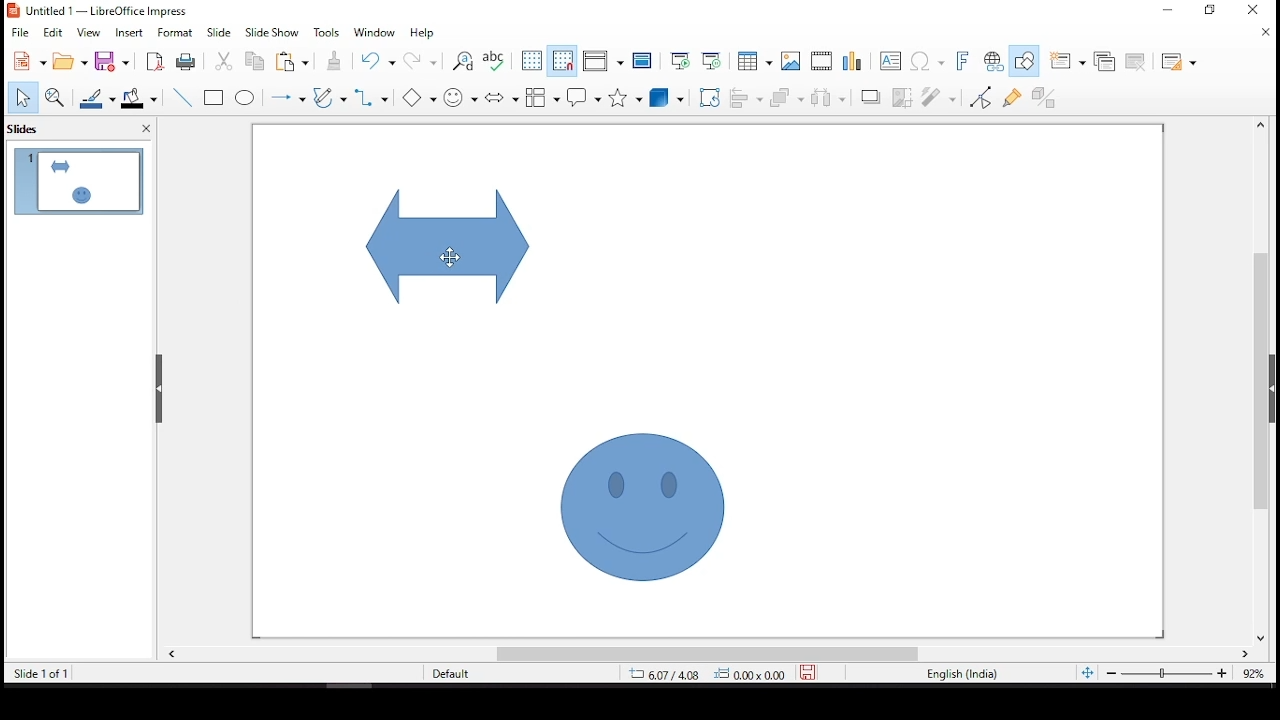  What do you see at coordinates (585, 99) in the screenshot?
I see `callout shapes` at bounding box center [585, 99].